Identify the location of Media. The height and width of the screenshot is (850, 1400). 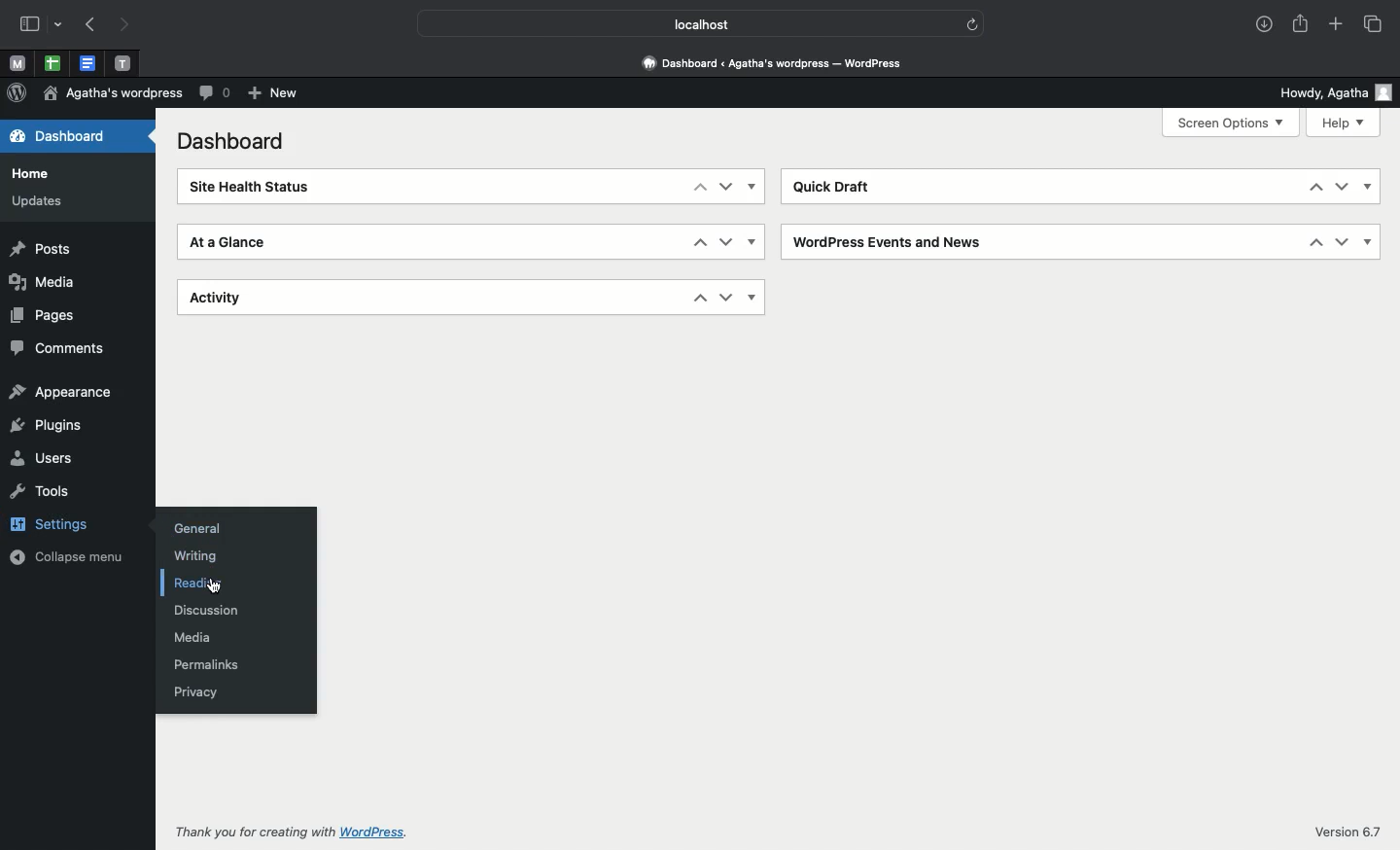
(191, 639).